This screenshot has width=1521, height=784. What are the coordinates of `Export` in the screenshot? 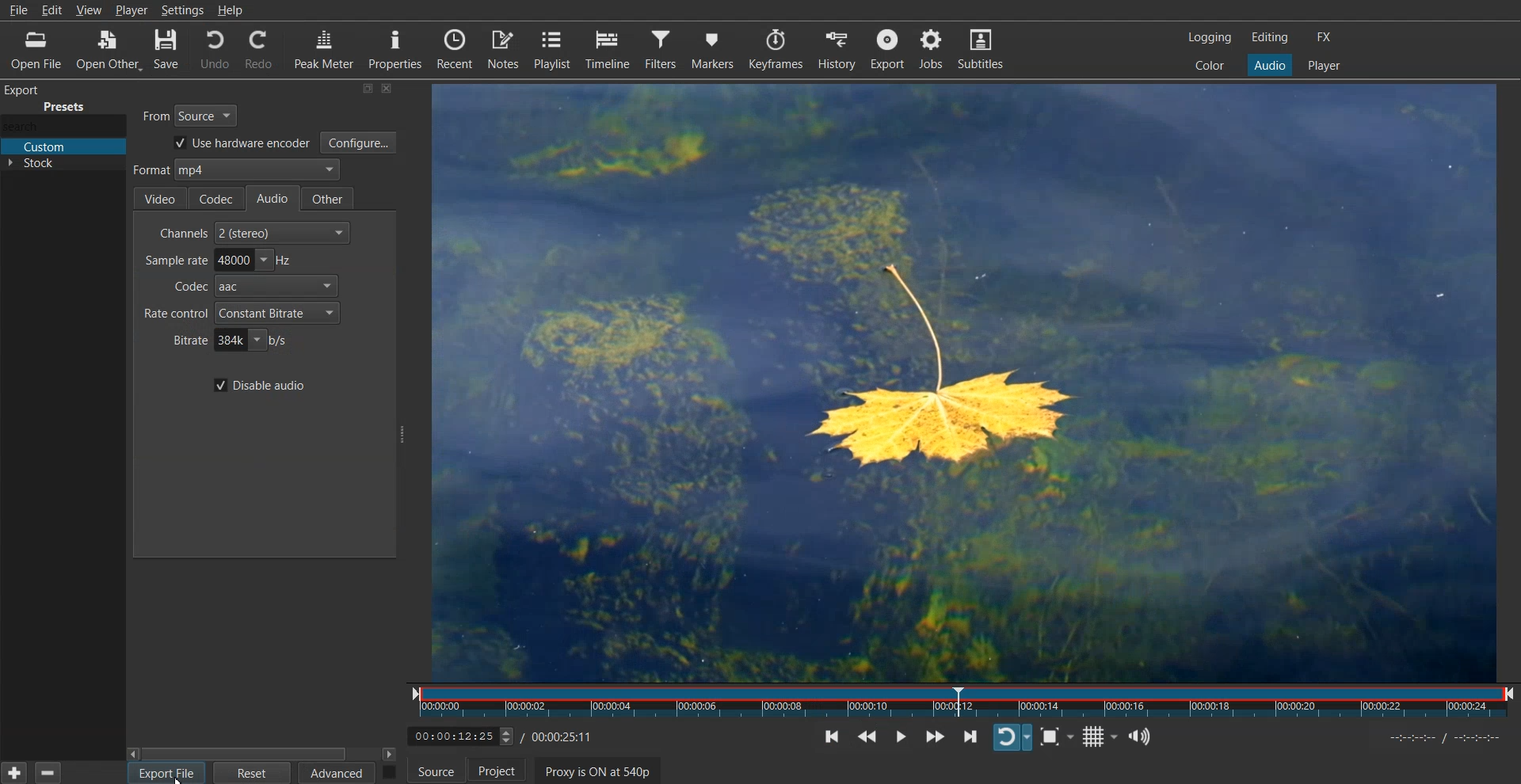 It's located at (889, 48).